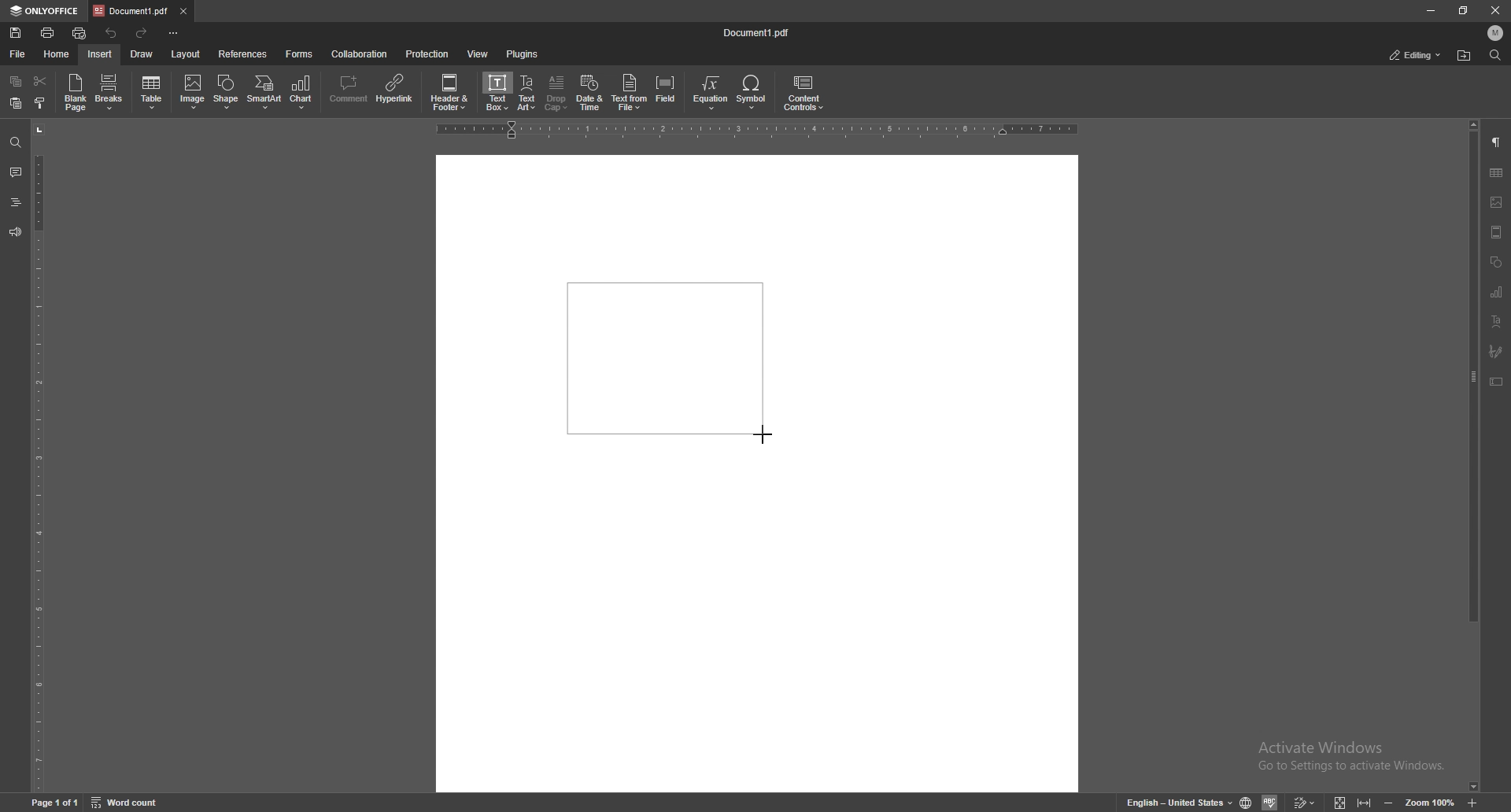  What do you see at coordinates (1496, 13) in the screenshot?
I see `close` at bounding box center [1496, 13].